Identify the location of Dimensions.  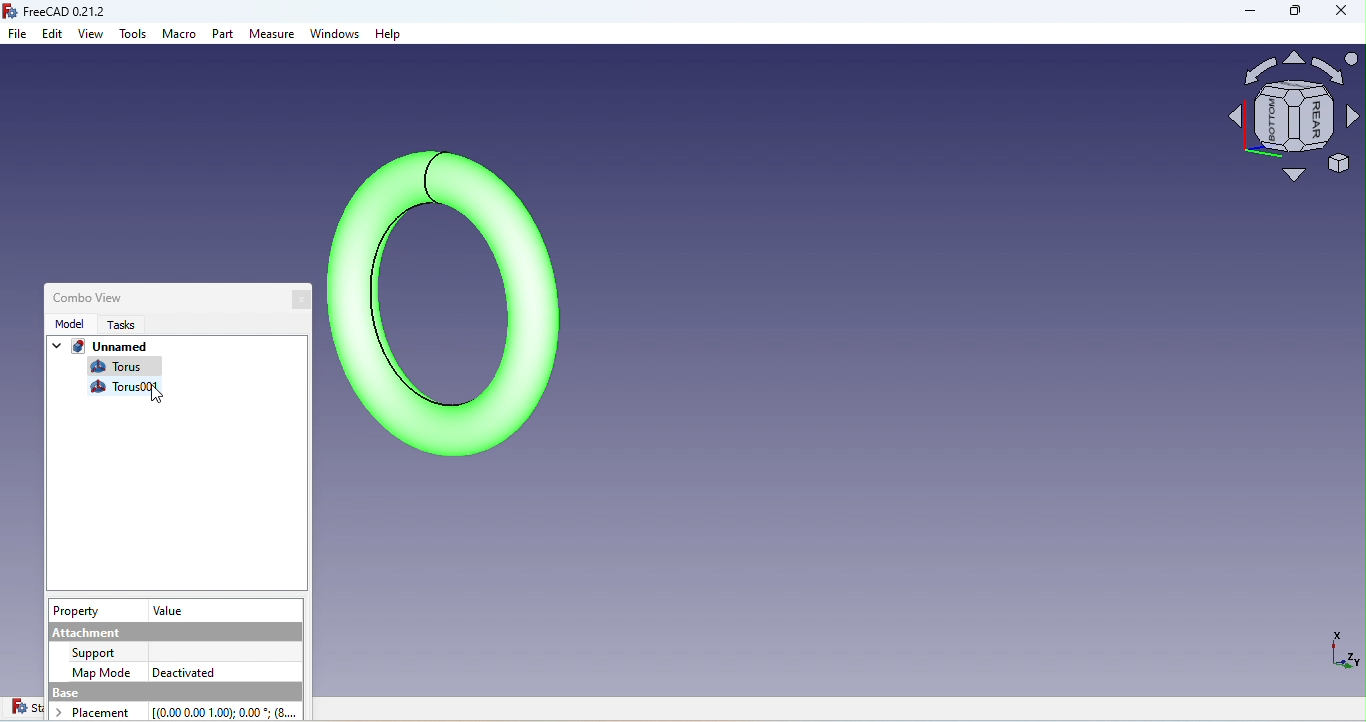
(1341, 656).